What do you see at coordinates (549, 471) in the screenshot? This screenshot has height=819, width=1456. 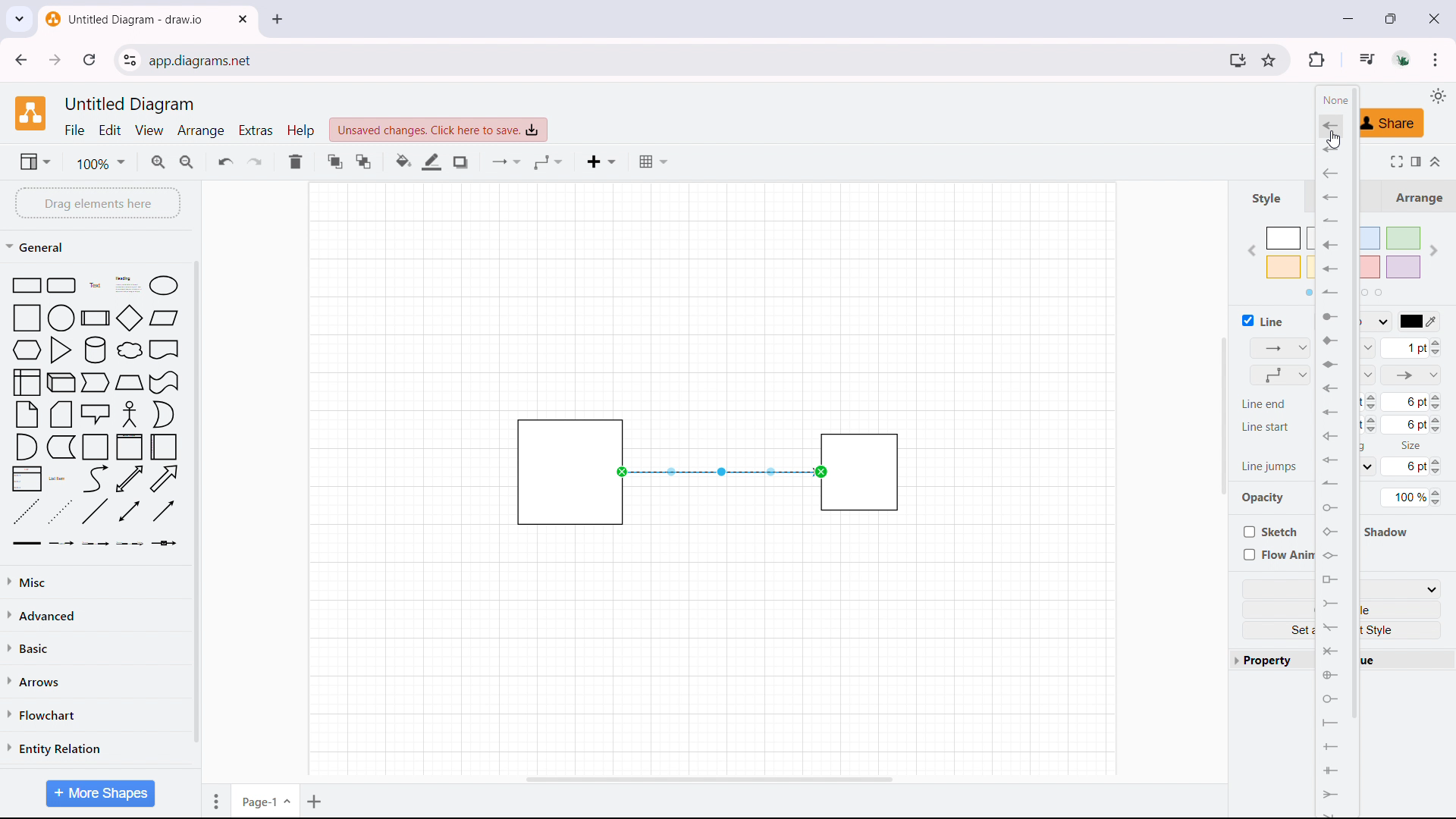 I see `object 1` at bounding box center [549, 471].